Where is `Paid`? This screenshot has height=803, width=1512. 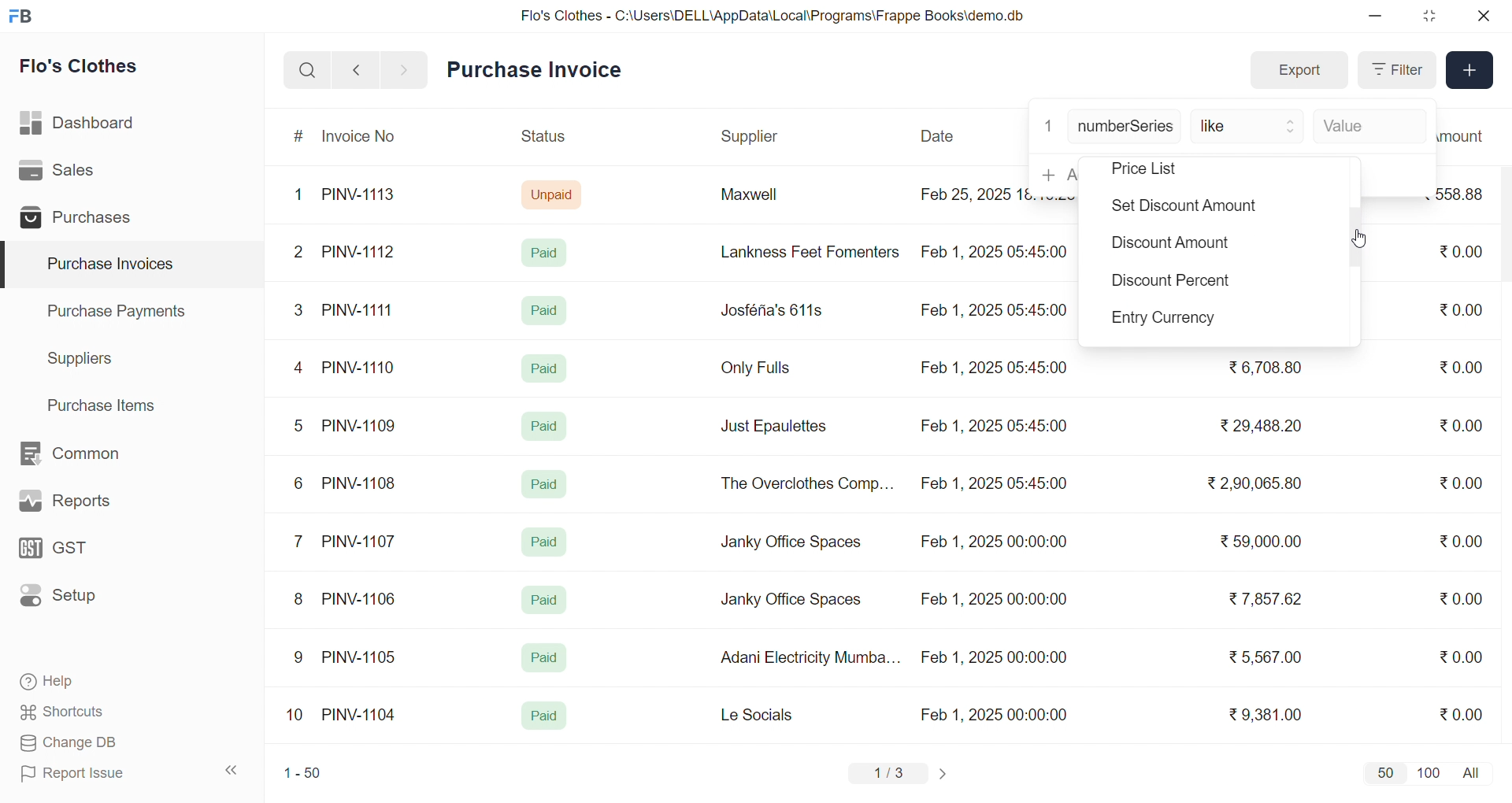
Paid is located at coordinates (543, 658).